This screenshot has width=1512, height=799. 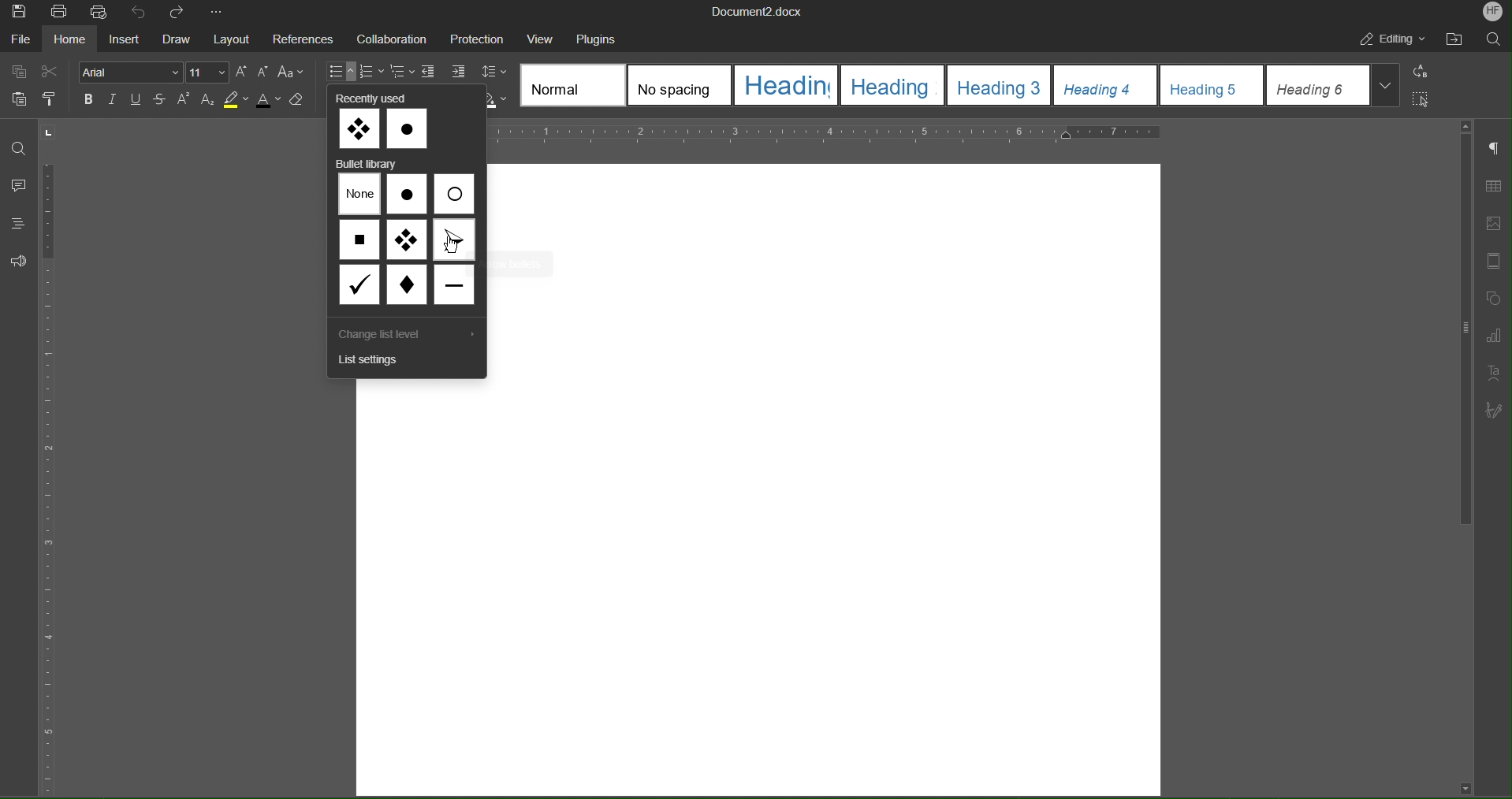 What do you see at coordinates (18, 222) in the screenshot?
I see `Headings` at bounding box center [18, 222].